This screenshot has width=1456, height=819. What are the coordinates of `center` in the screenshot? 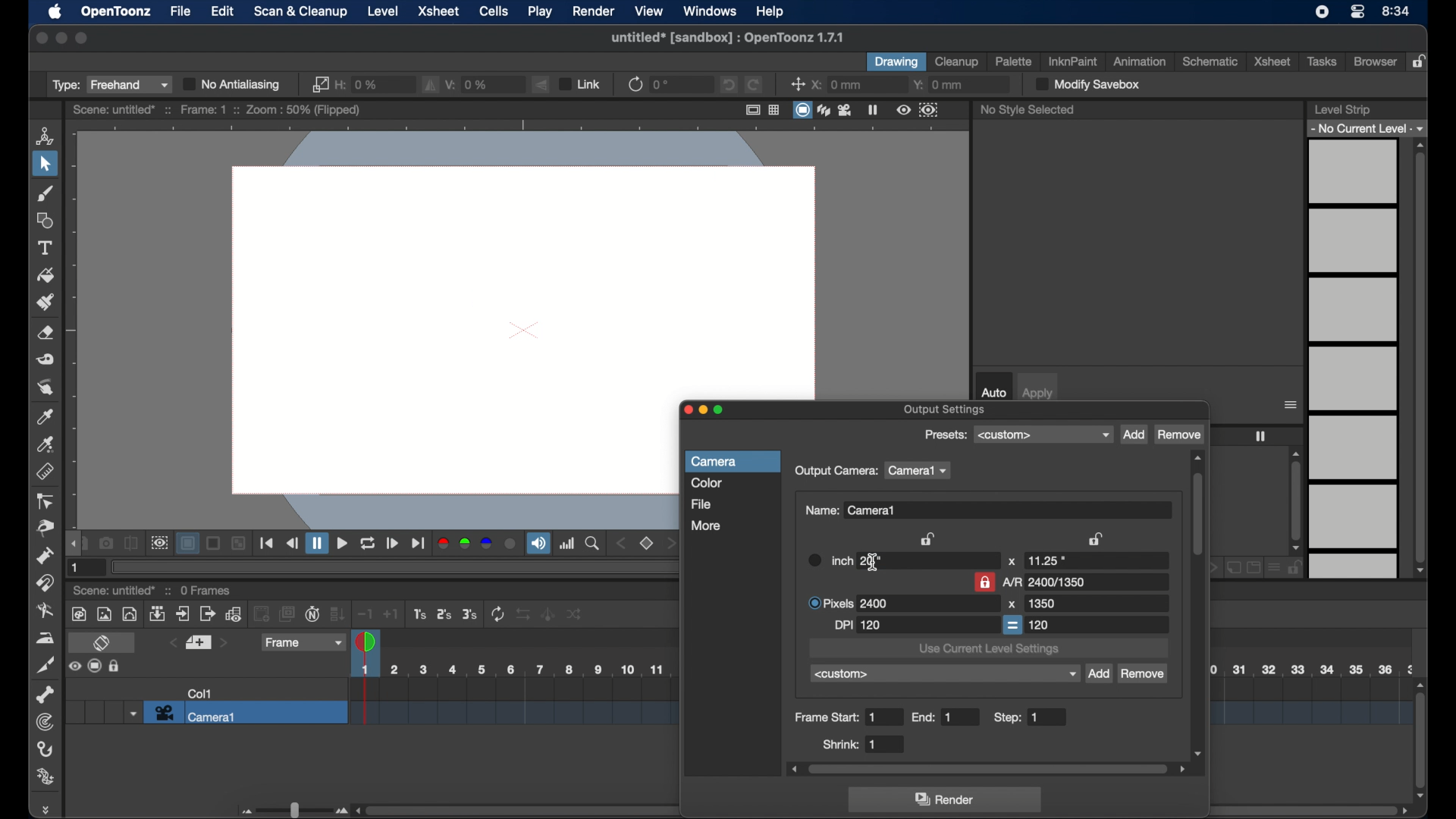 It's located at (798, 84).